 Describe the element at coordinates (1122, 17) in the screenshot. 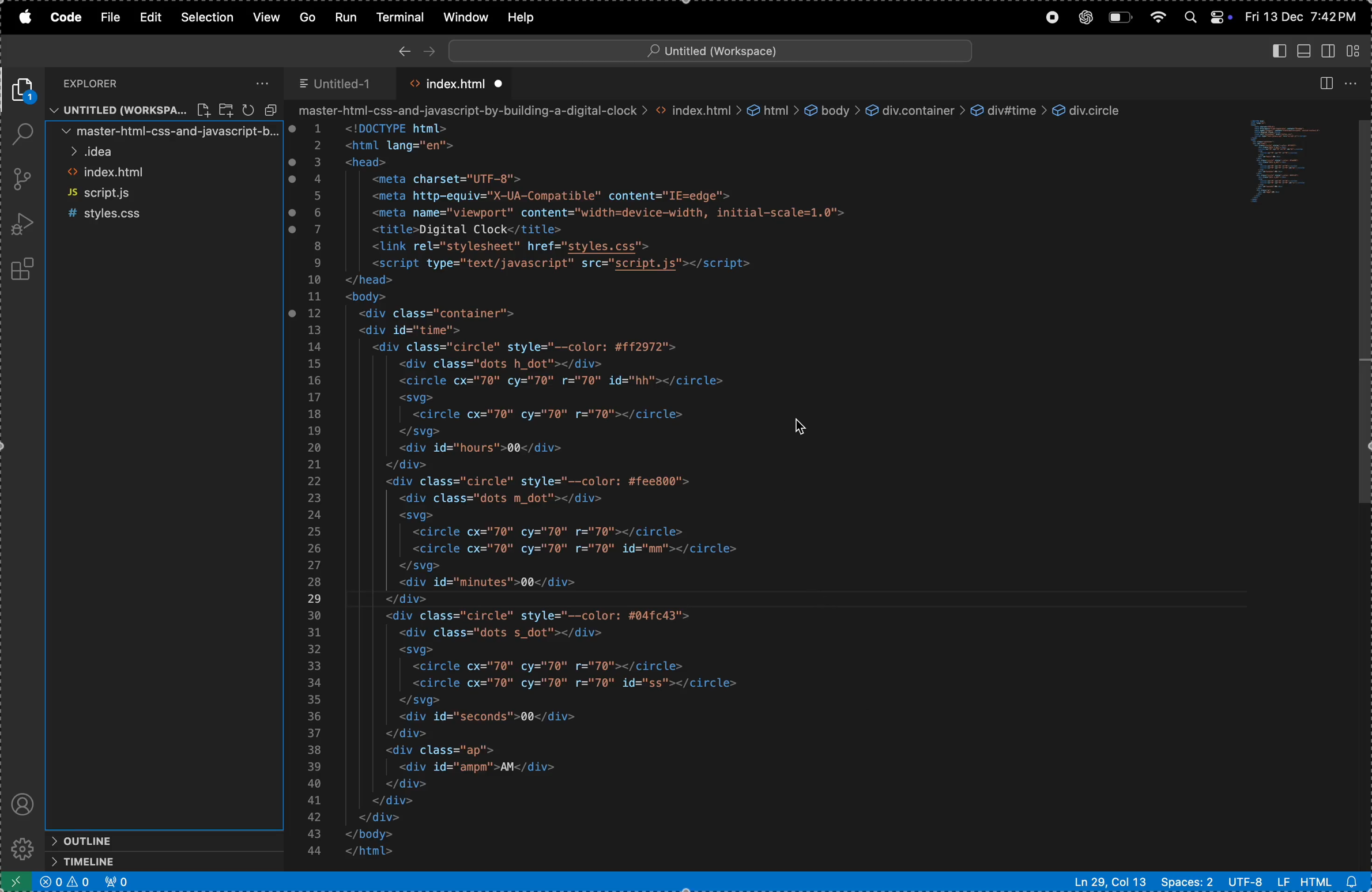

I see `battery` at that location.